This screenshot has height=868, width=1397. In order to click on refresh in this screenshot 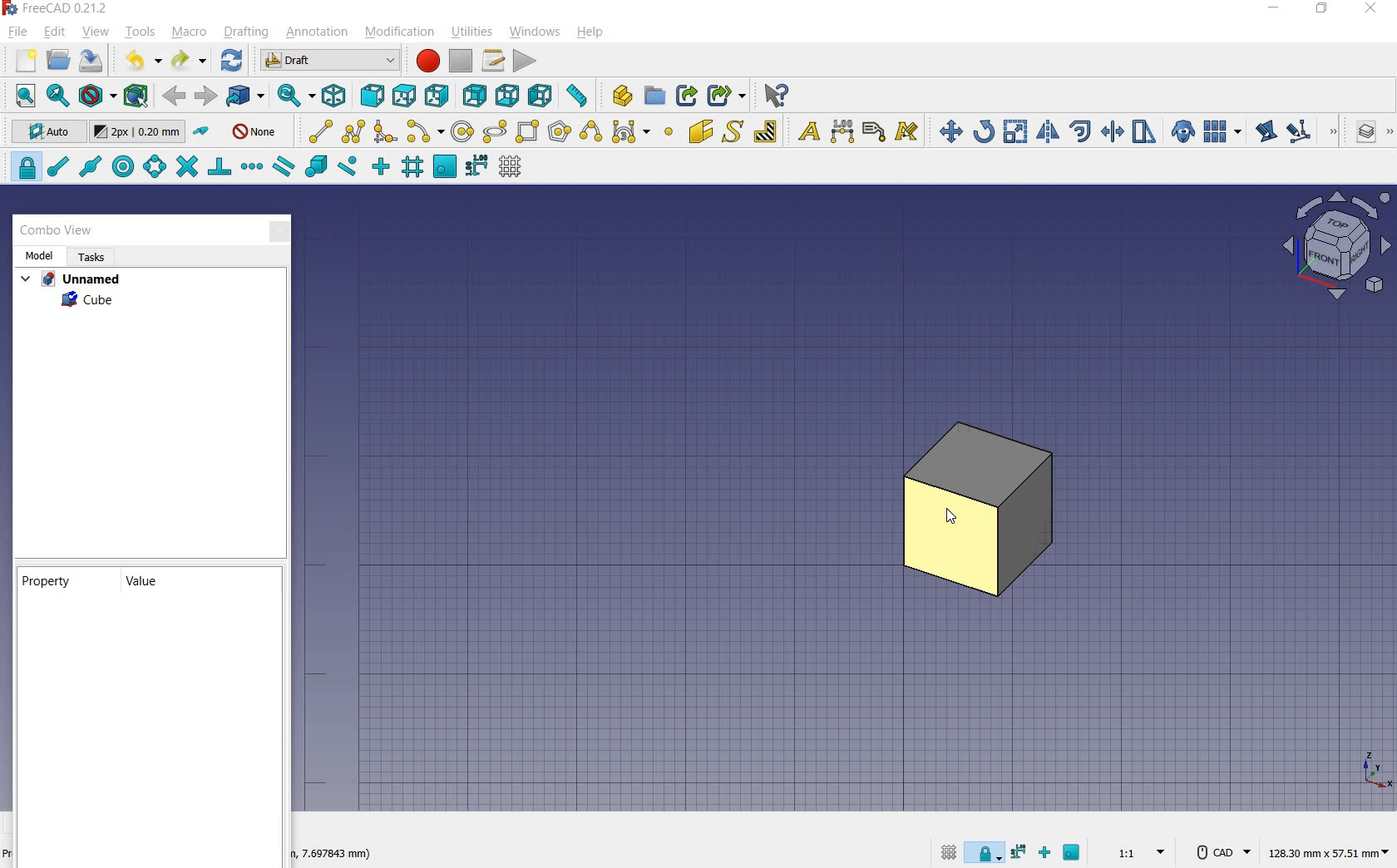, I will do `click(232, 61)`.